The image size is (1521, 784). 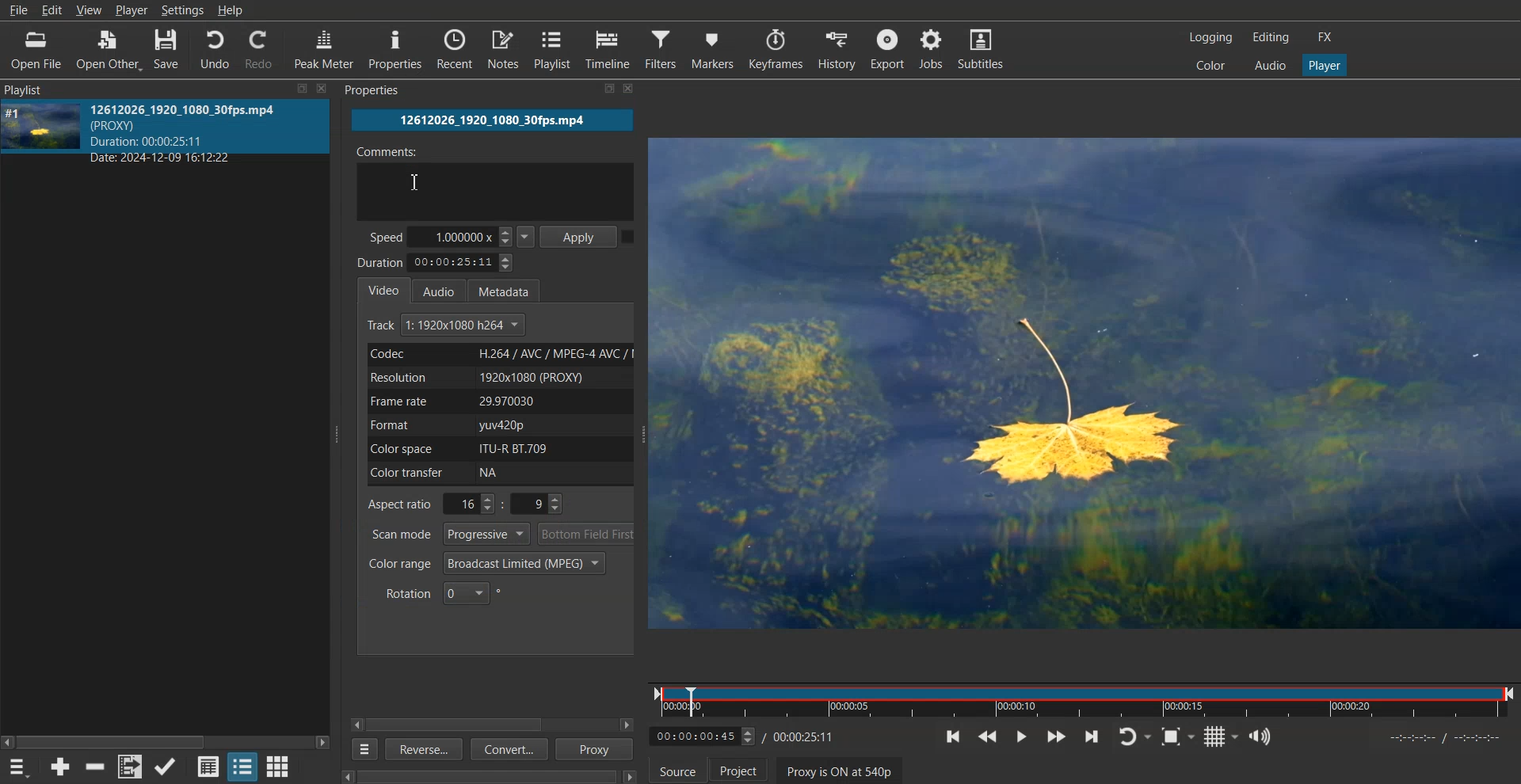 I want to click on File, so click(x=18, y=10).